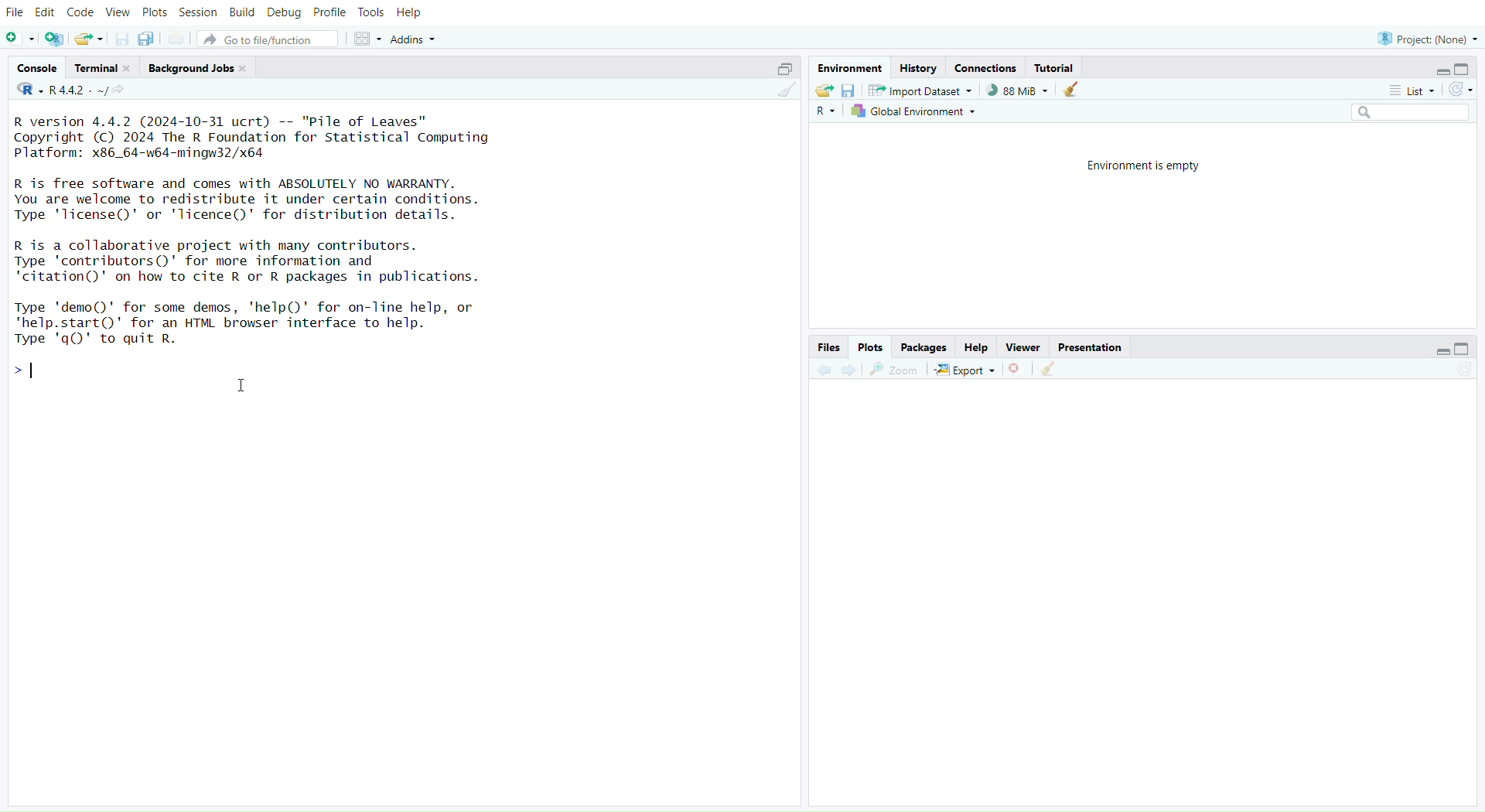 The width and height of the screenshot is (1485, 812). I want to click on viewer, so click(1025, 347).